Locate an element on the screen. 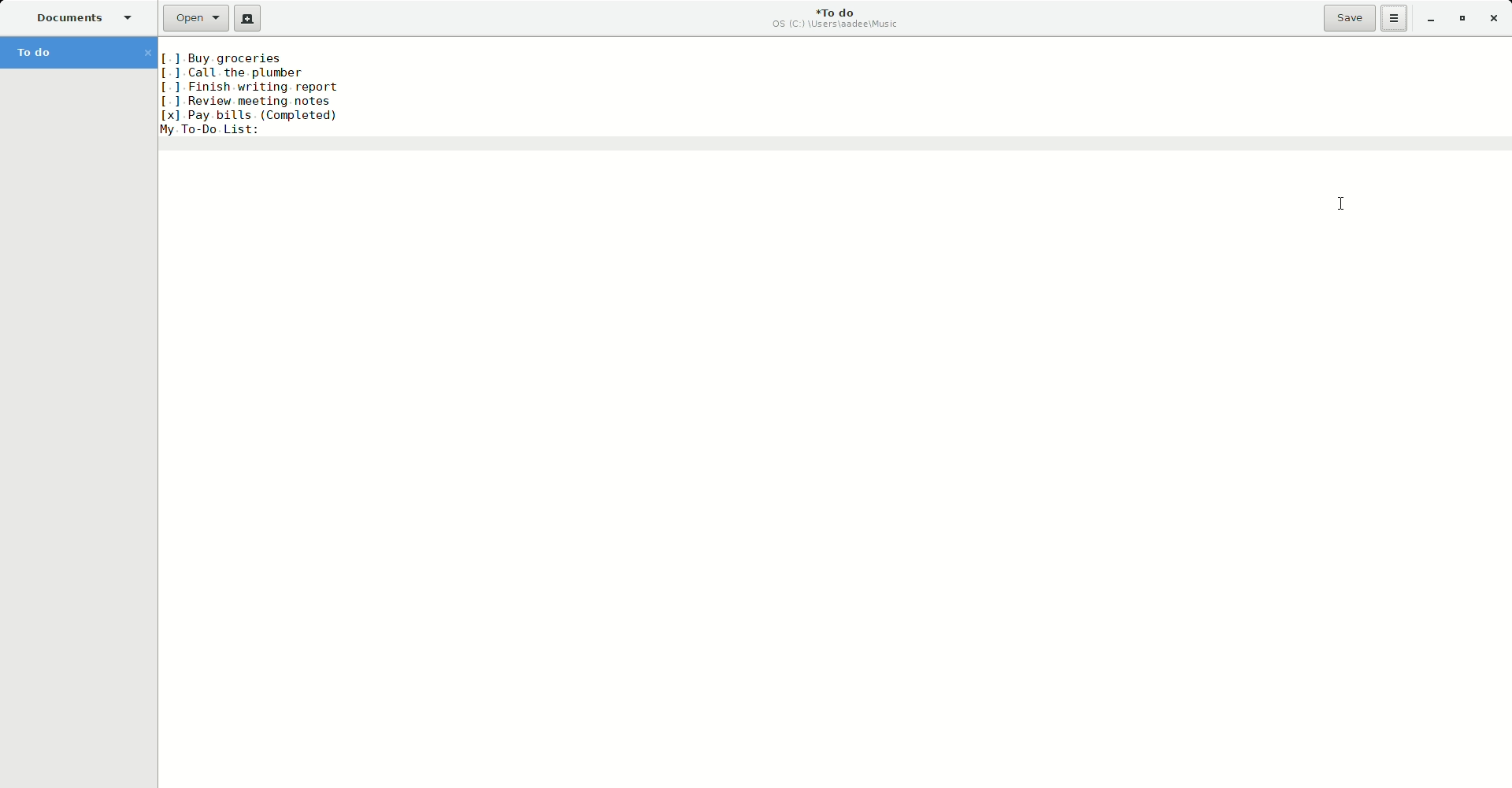 Image resolution: width=1512 pixels, height=788 pixels. Minimize is located at coordinates (1431, 20).